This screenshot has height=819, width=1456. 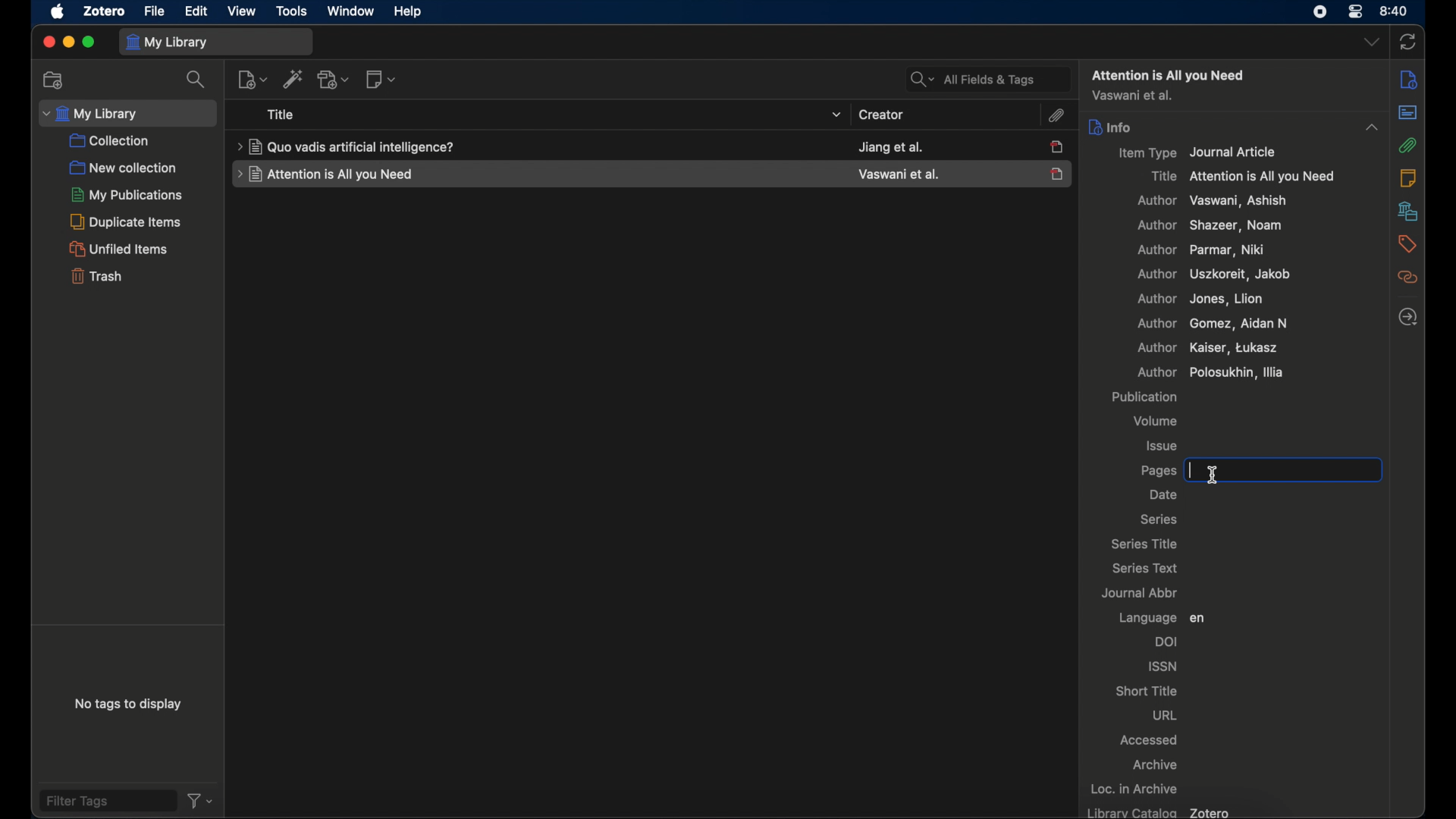 I want to click on window, so click(x=348, y=11).